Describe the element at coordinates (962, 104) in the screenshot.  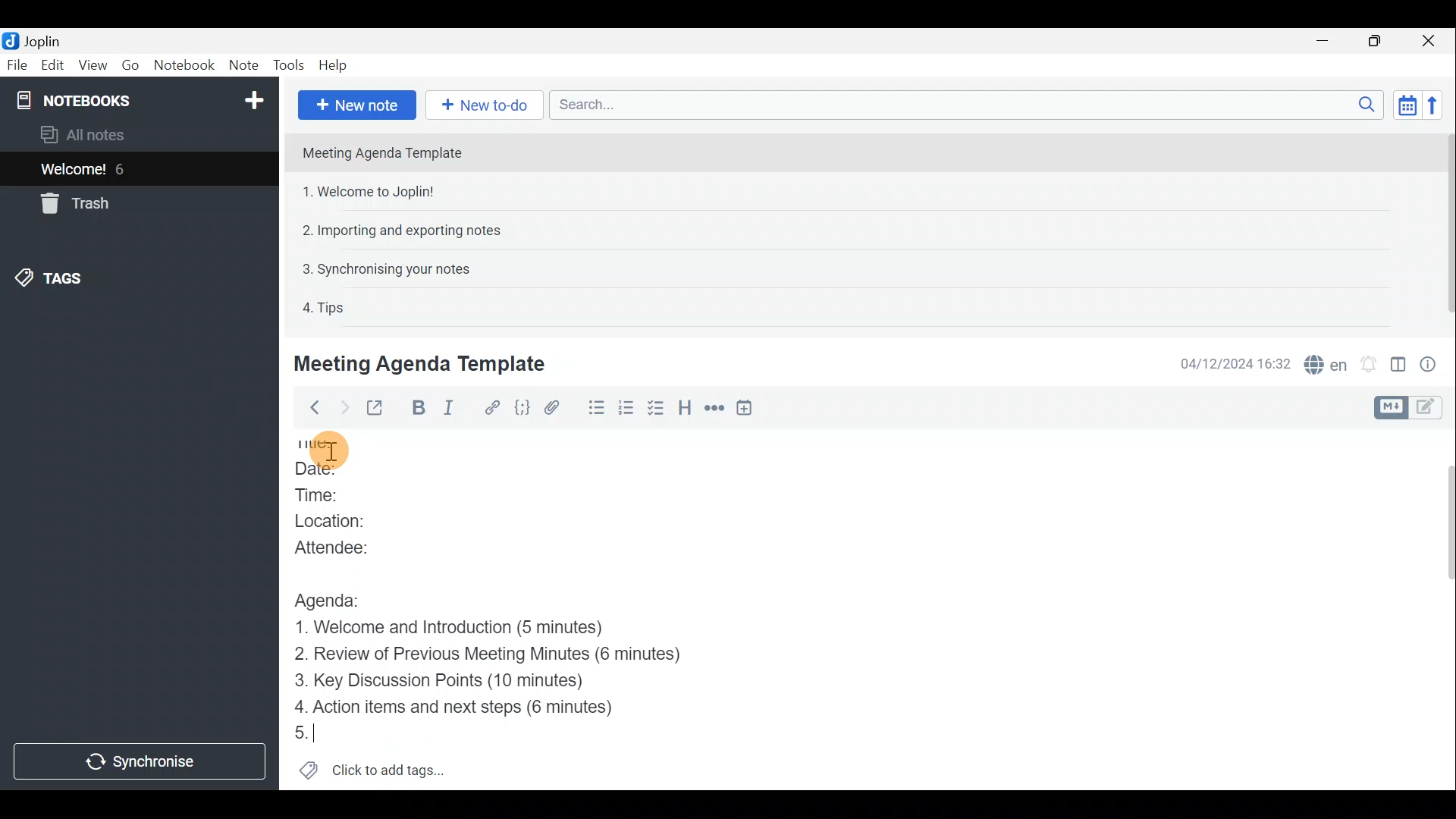
I see `Search bar` at that location.